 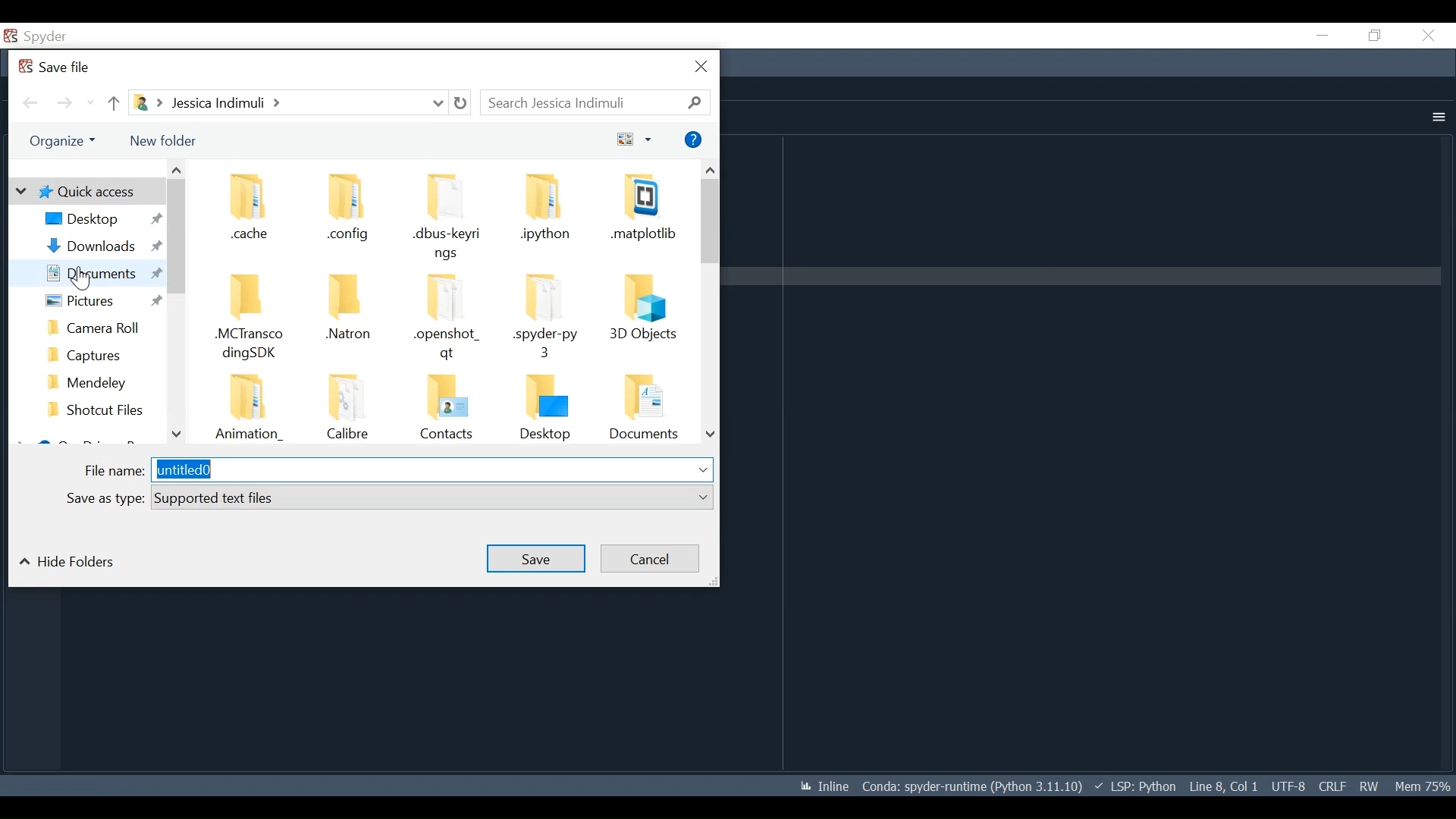 I want to click on Scroll down, so click(x=711, y=433).